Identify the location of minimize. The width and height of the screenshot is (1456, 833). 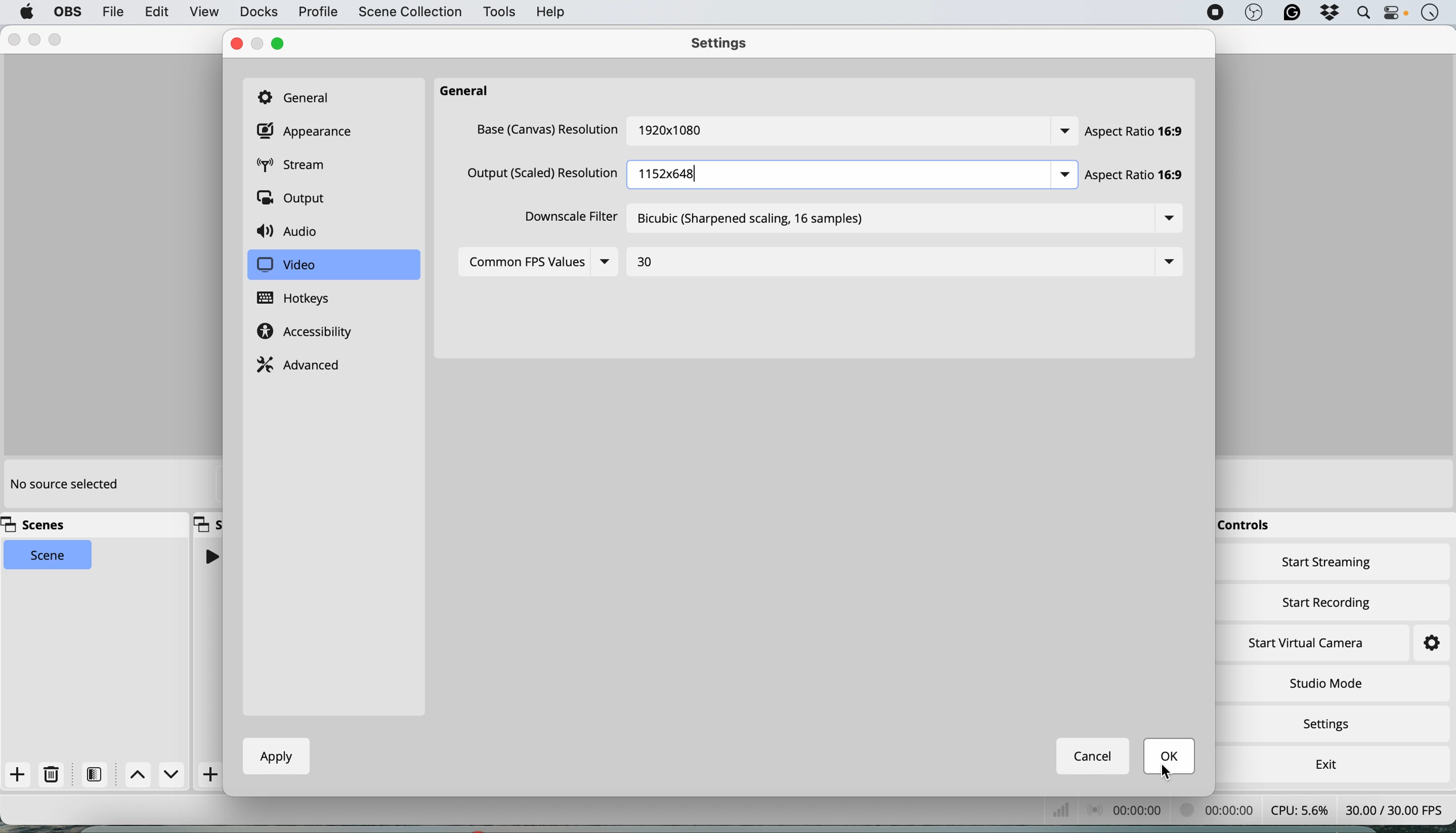
(258, 44).